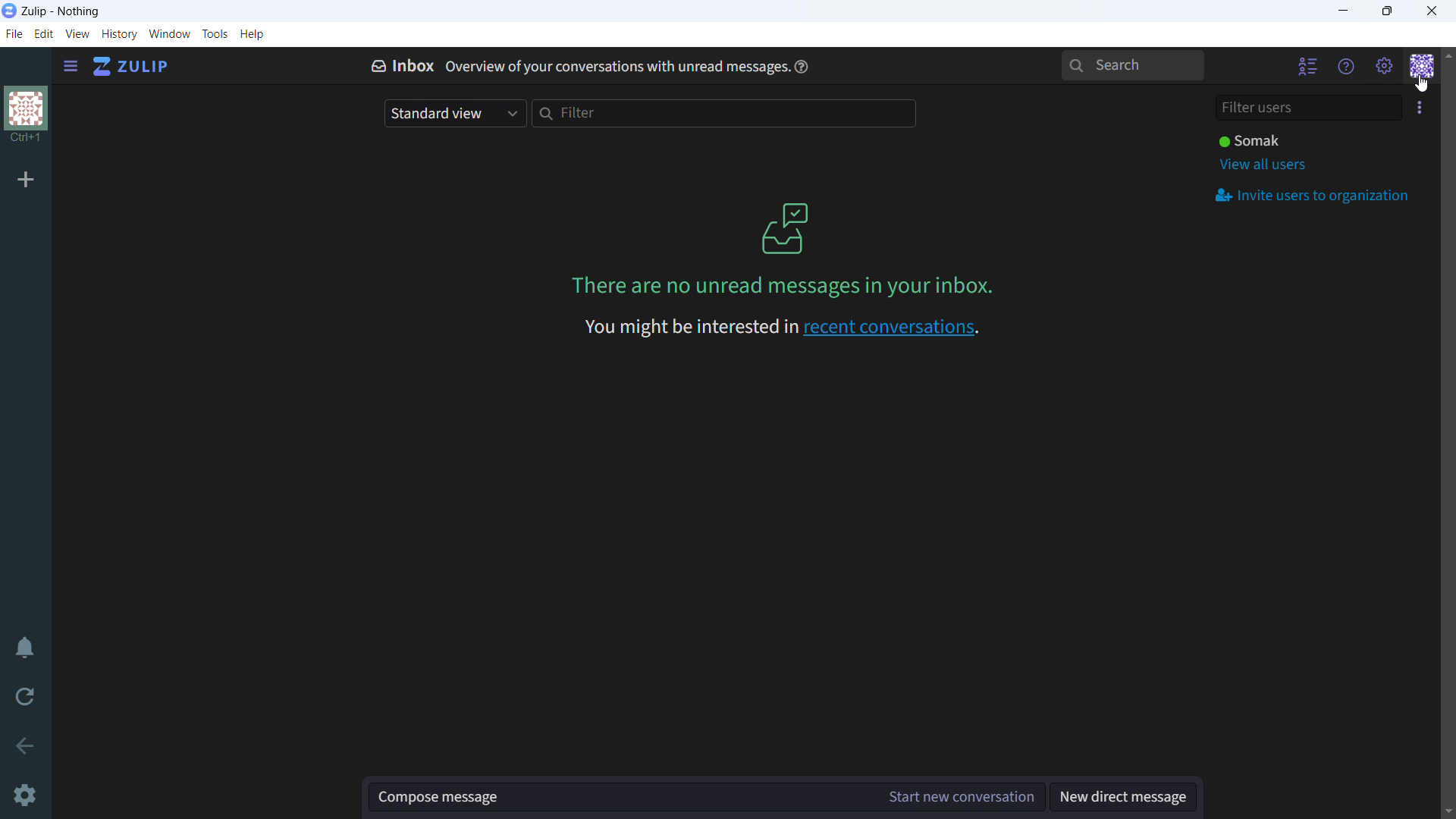 The width and height of the screenshot is (1456, 819). What do you see at coordinates (1312, 196) in the screenshot?
I see `invite users to organization` at bounding box center [1312, 196].